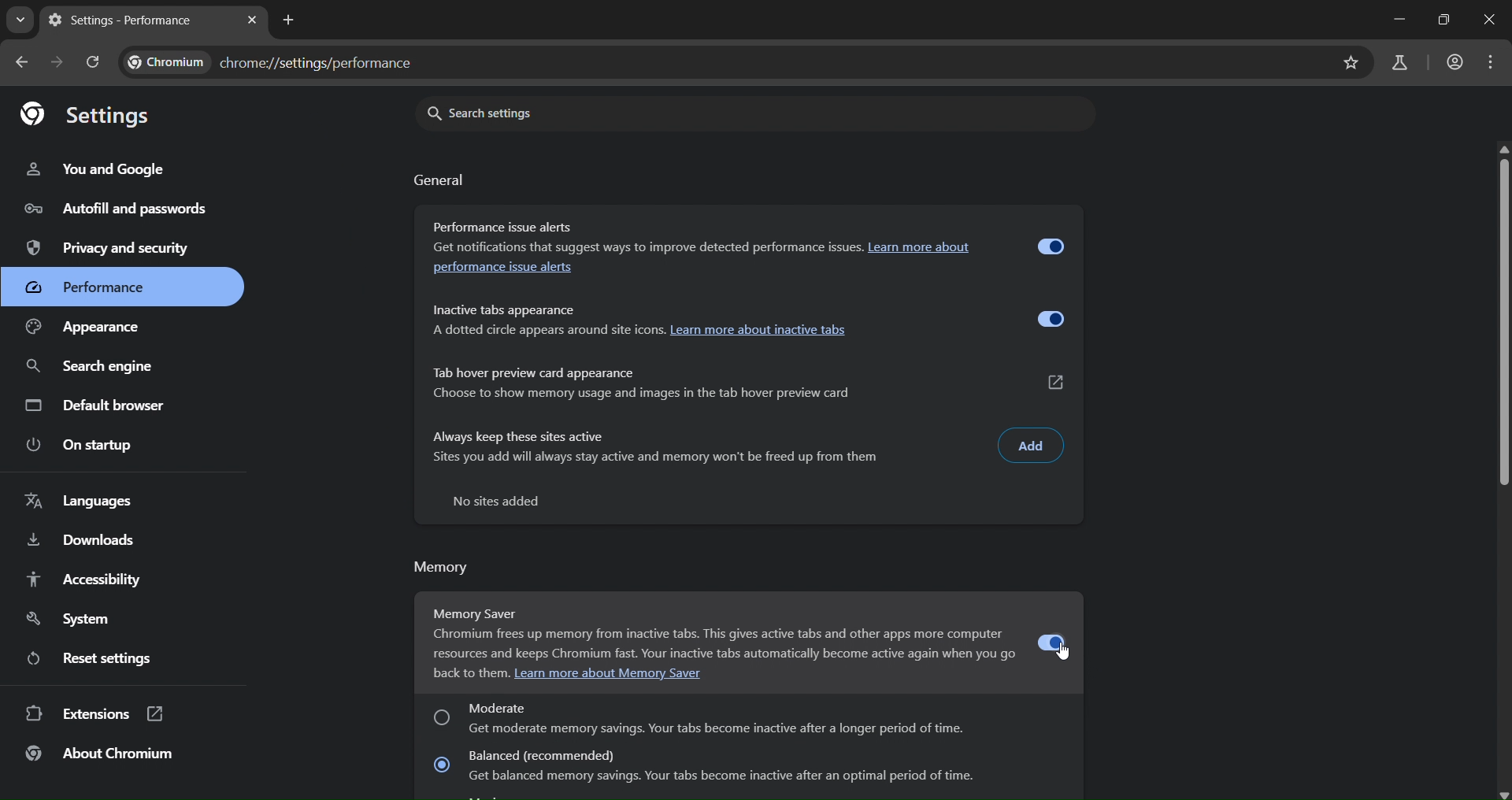 This screenshot has height=800, width=1512. I want to click on Always keep these sites active Sites you add will always stay active and memory won't be freed up from them, so click(660, 453).